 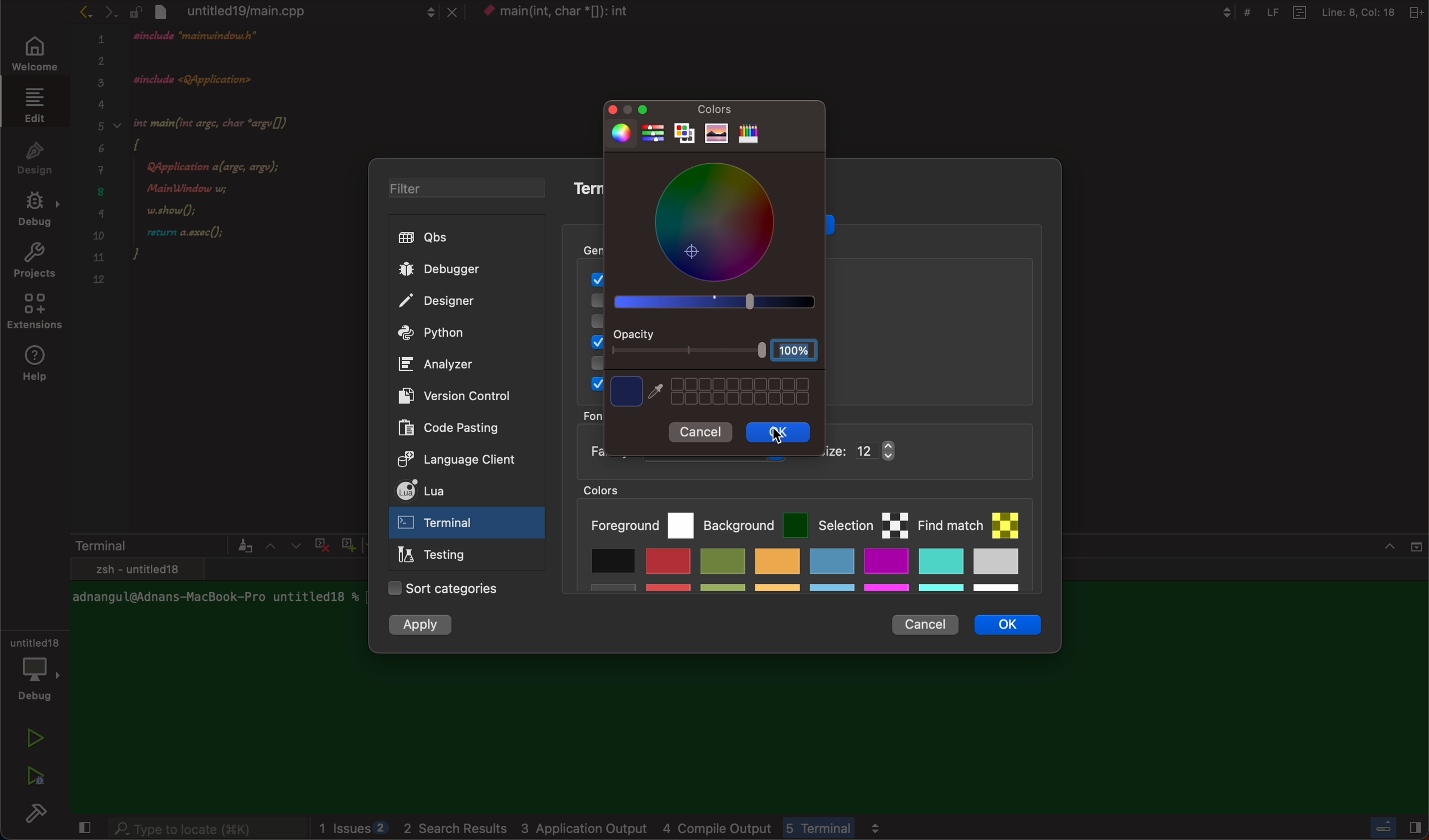 I want to click on cancel, so click(x=924, y=621).